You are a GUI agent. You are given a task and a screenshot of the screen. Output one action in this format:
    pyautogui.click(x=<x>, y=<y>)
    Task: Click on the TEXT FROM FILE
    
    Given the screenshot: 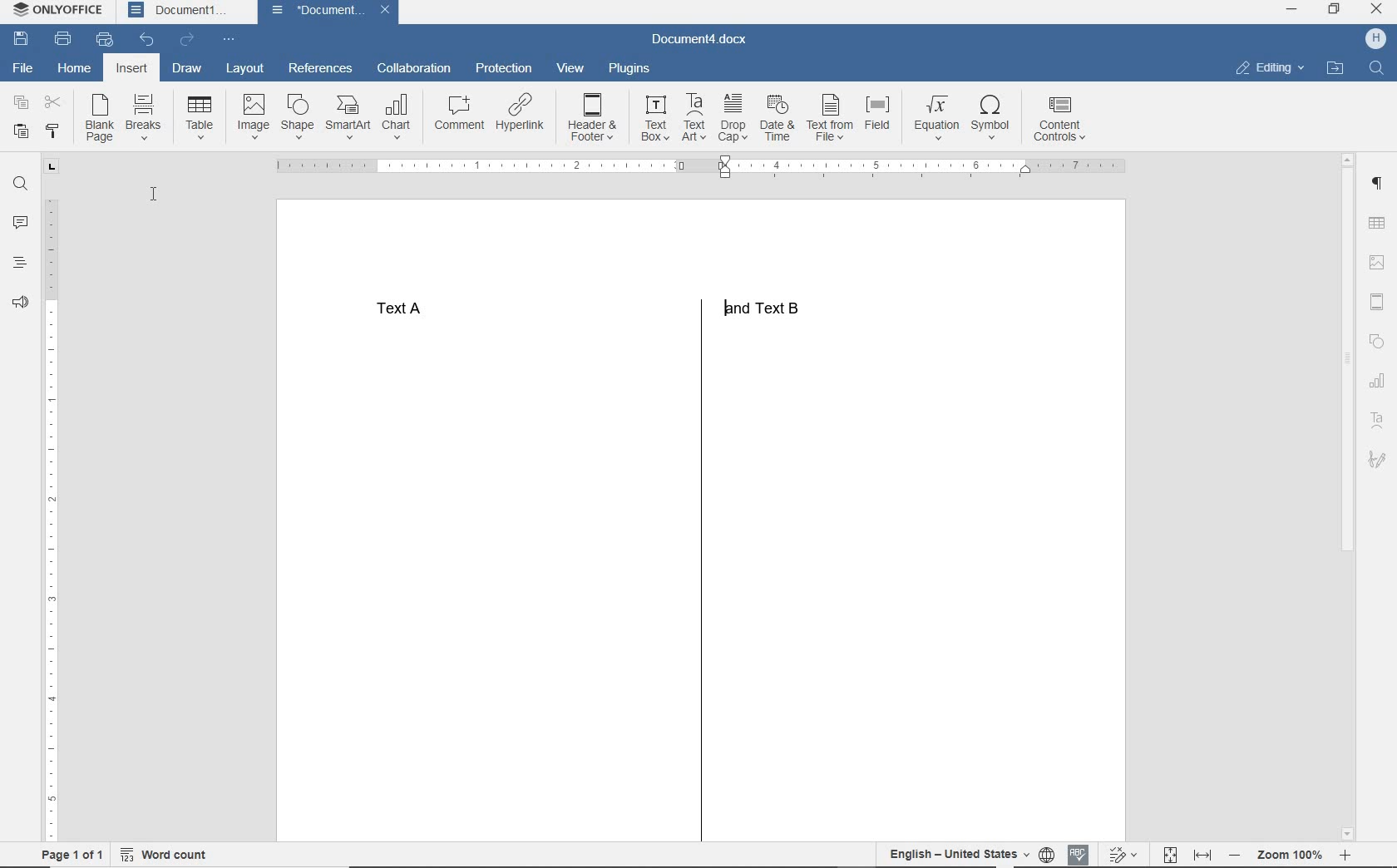 What is the action you would take?
    pyautogui.click(x=830, y=123)
    